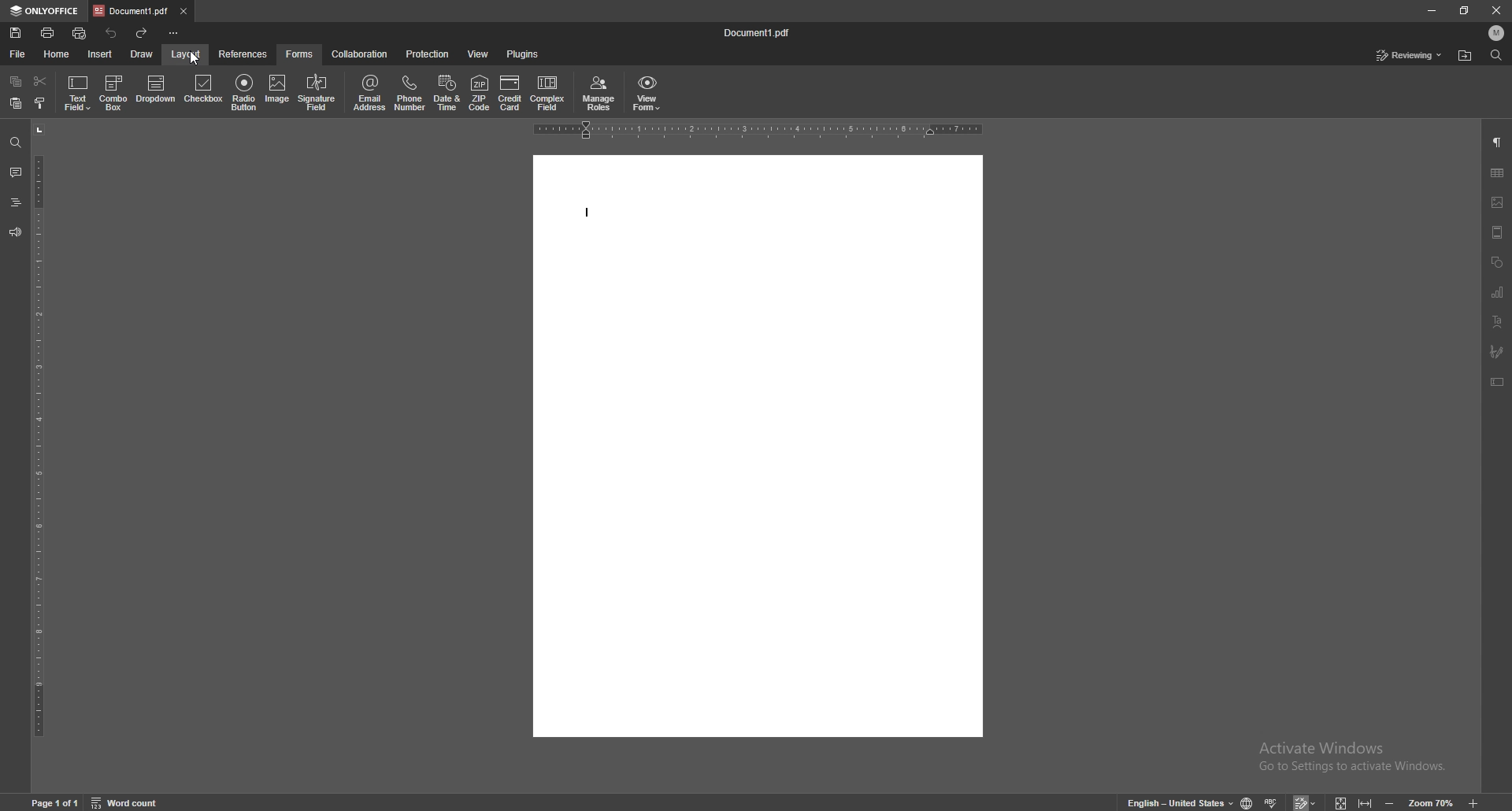 This screenshot has width=1512, height=811. What do you see at coordinates (478, 93) in the screenshot?
I see `zip code` at bounding box center [478, 93].